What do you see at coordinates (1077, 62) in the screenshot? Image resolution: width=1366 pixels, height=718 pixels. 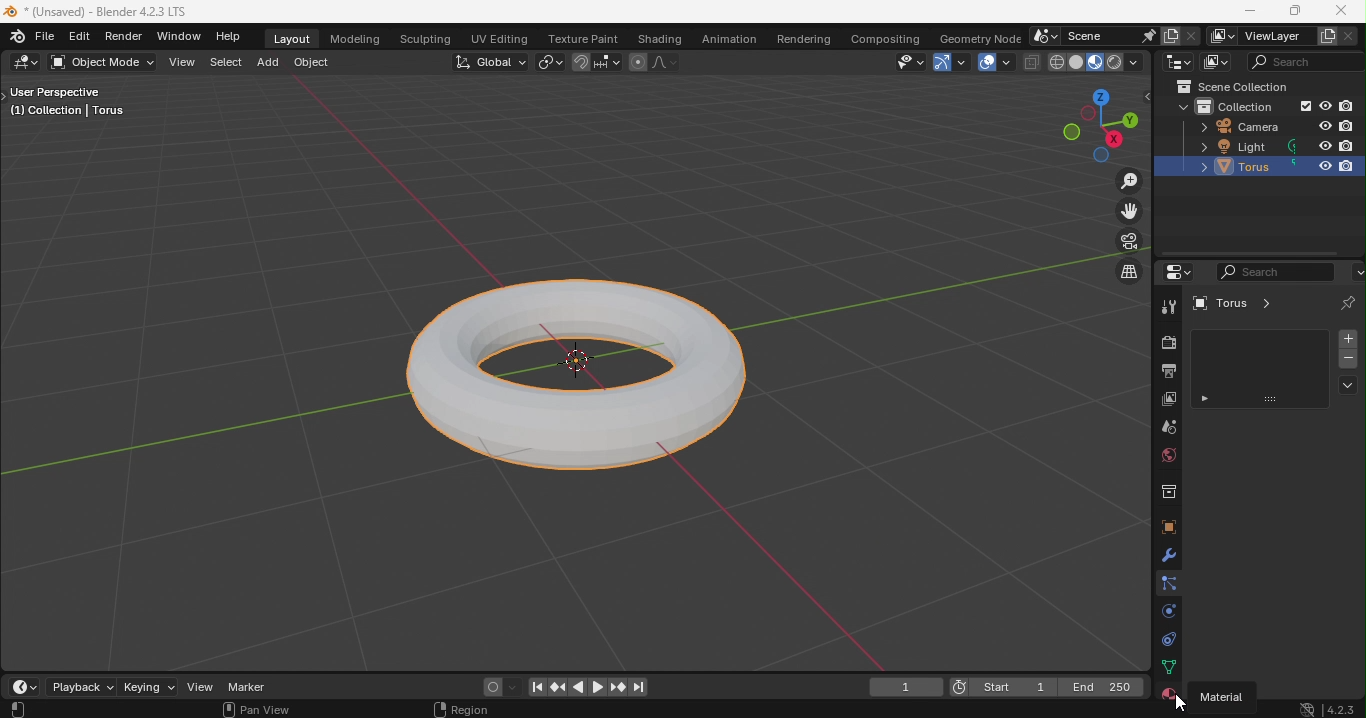 I see `Viewport shading` at bounding box center [1077, 62].